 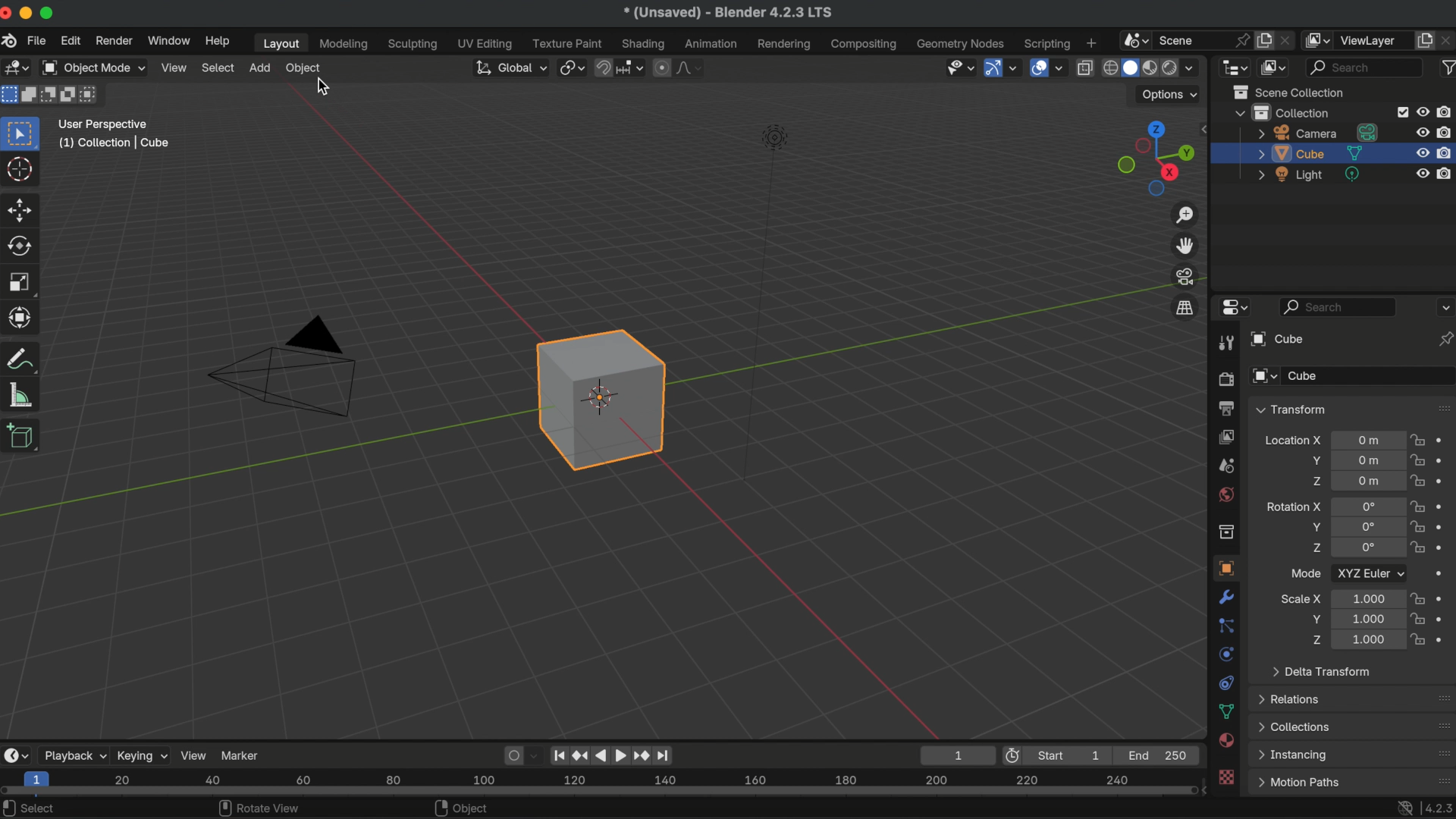 What do you see at coordinates (1418, 442) in the screenshot?
I see `lock location` at bounding box center [1418, 442].